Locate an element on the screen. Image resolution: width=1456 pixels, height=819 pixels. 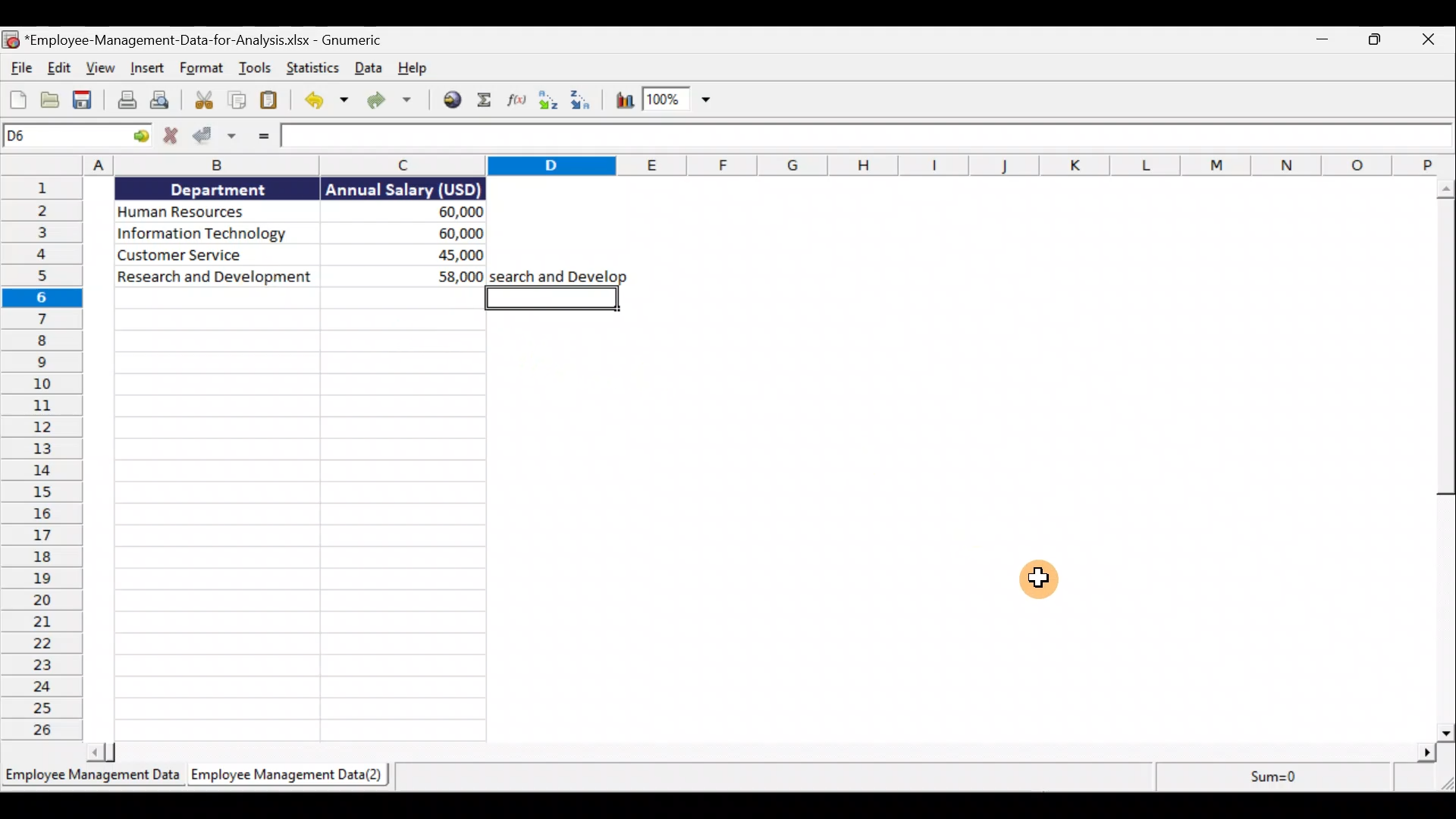
Rows is located at coordinates (41, 460).